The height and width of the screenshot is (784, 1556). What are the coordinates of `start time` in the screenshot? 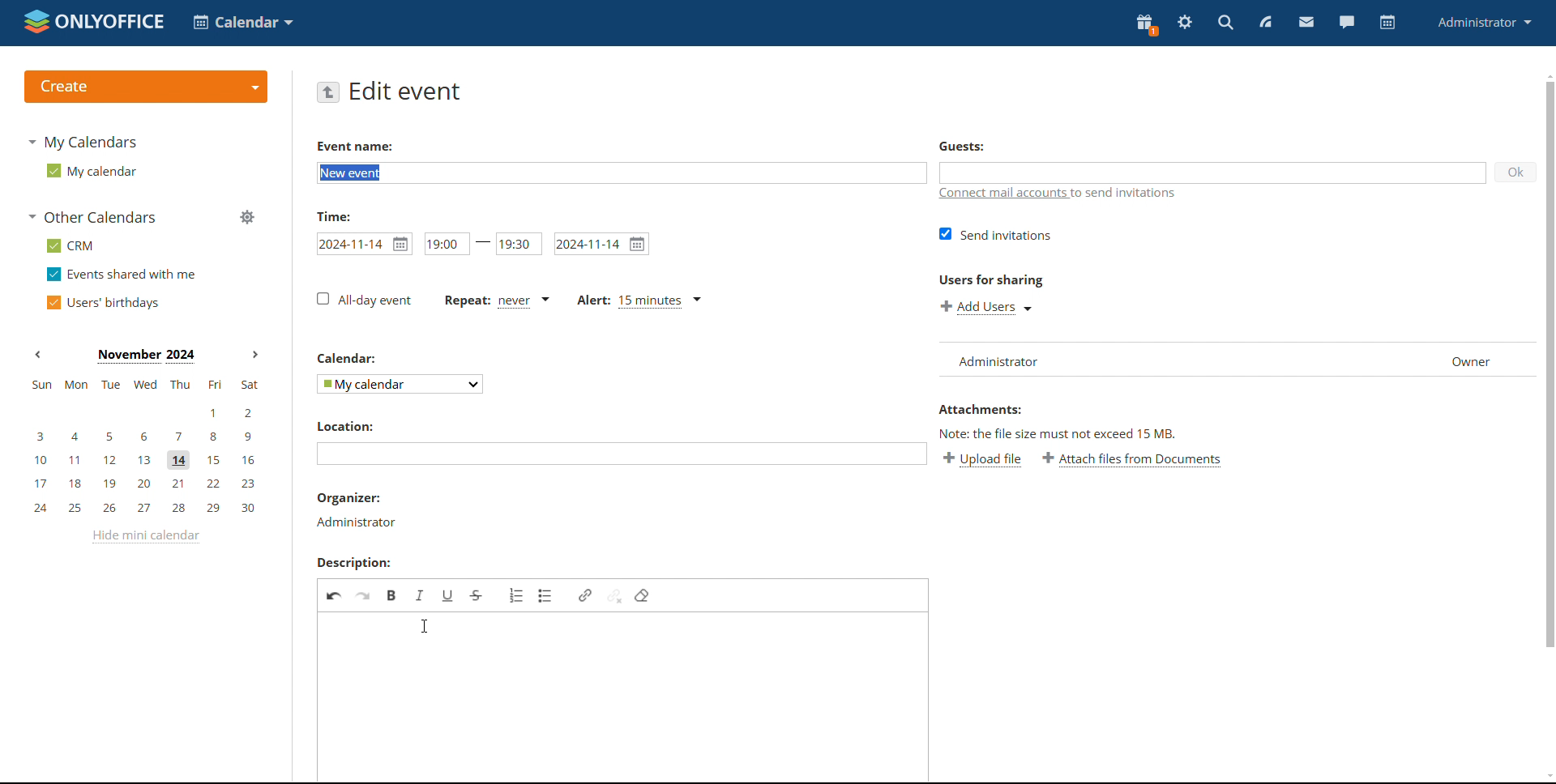 It's located at (445, 245).